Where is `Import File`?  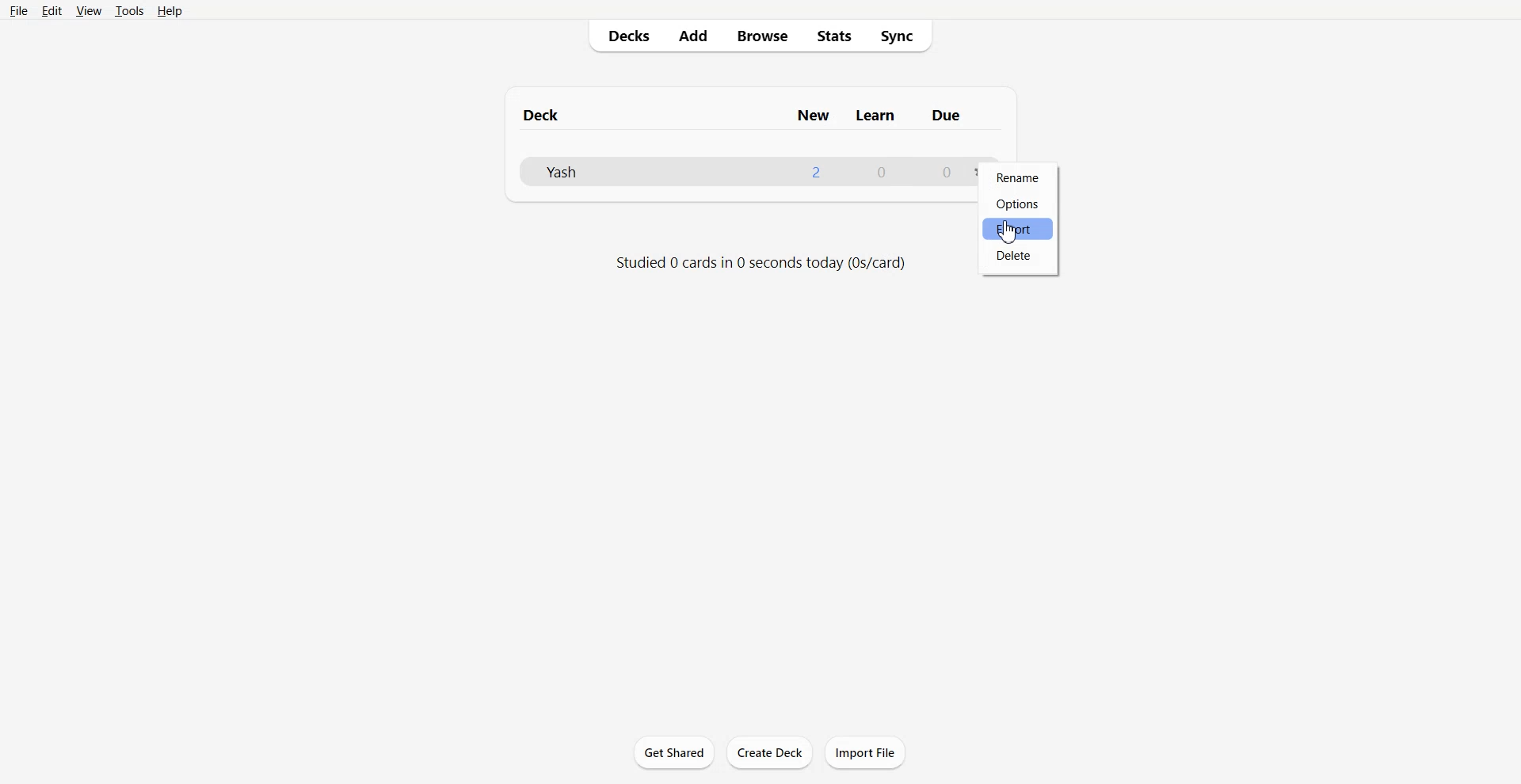 Import File is located at coordinates (866, 752).